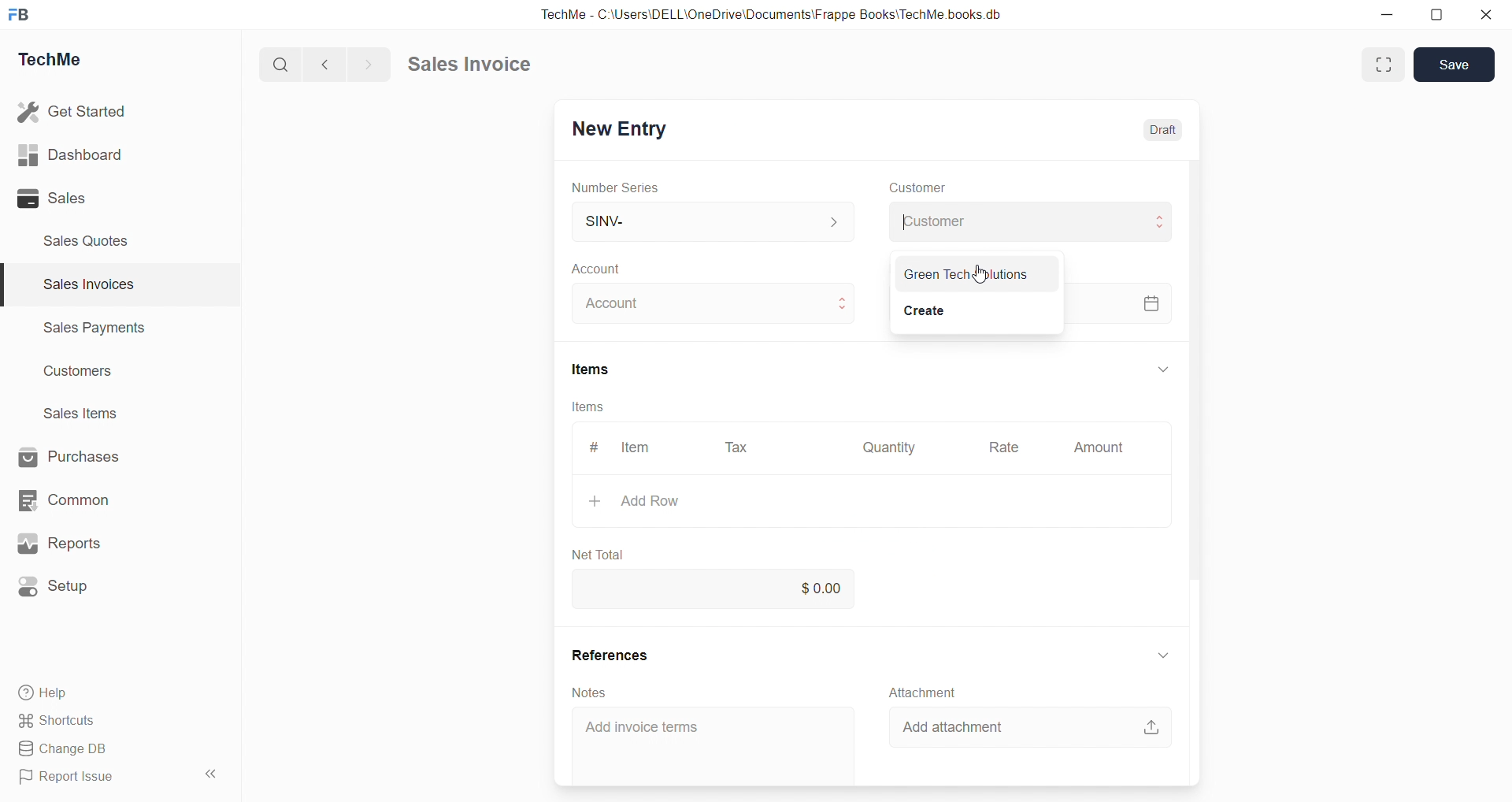  What do you see at coordinates (50, 60) in the screenshot?
I see `TechMe` at bounding box center [50, 60].